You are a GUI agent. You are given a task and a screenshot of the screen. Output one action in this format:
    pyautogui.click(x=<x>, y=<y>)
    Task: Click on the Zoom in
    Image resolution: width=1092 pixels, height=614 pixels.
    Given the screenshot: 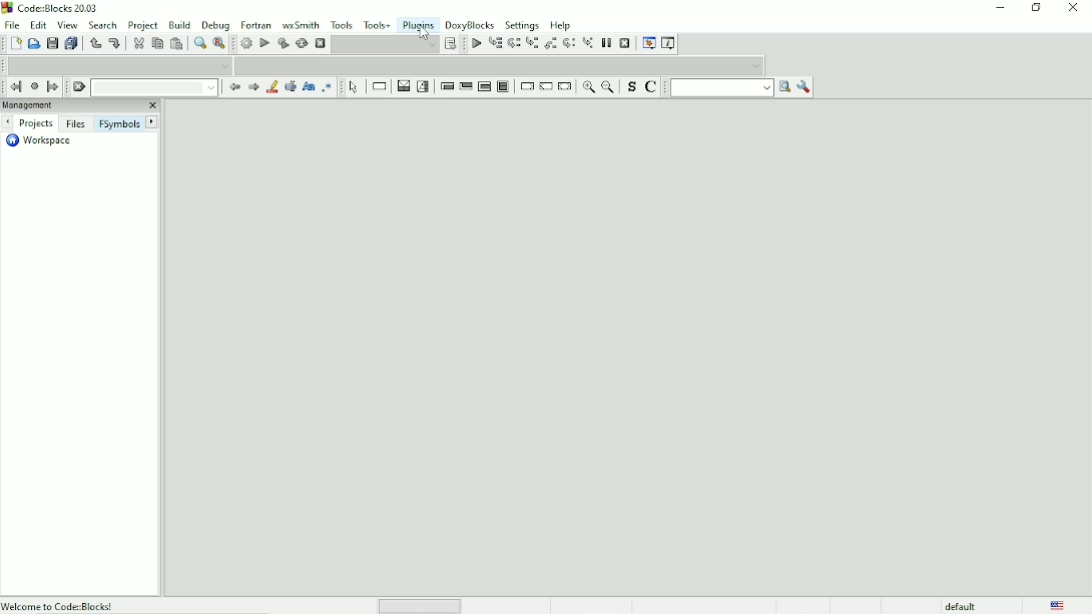 What is the action you would take?
    pyautogui.click(x=586, y=88)
    